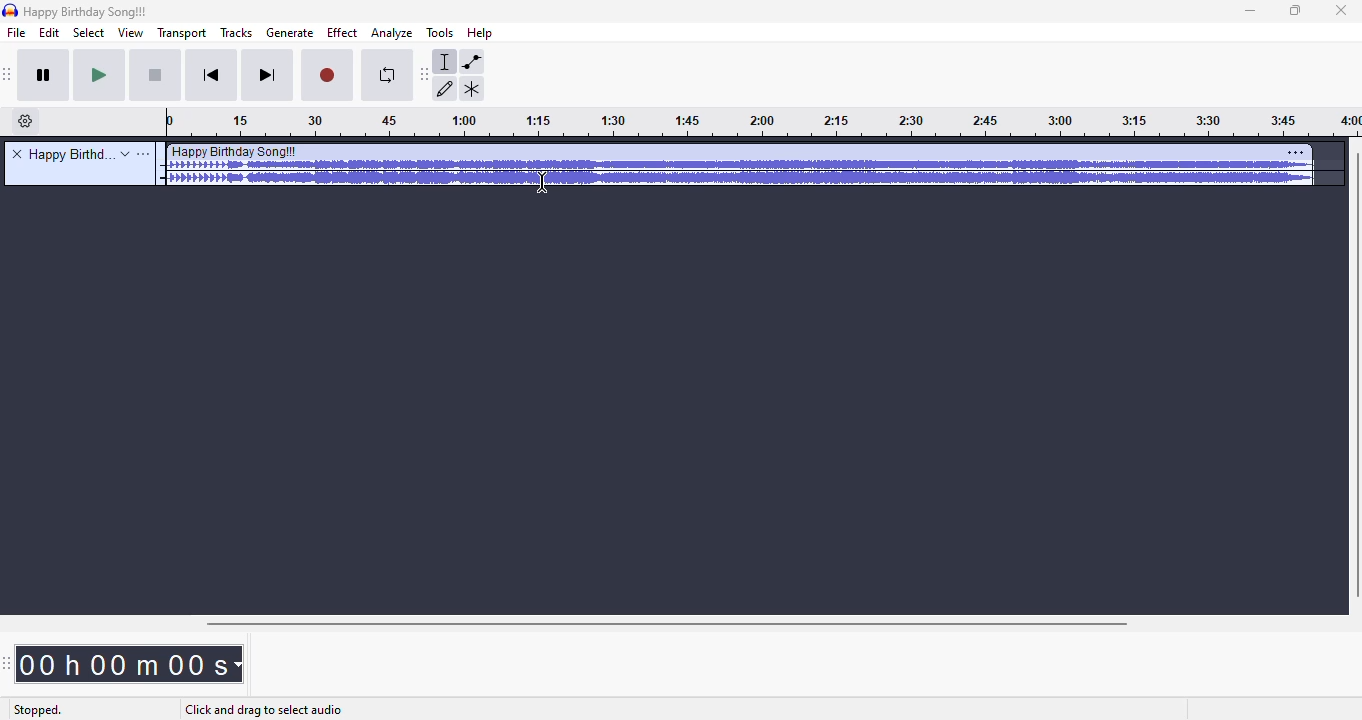 The width and height of the screenshot is (1362, 720). What do you see at coordinates (180, 33) in the screenshot?
I see `transport` at bounding box center [180, 33].